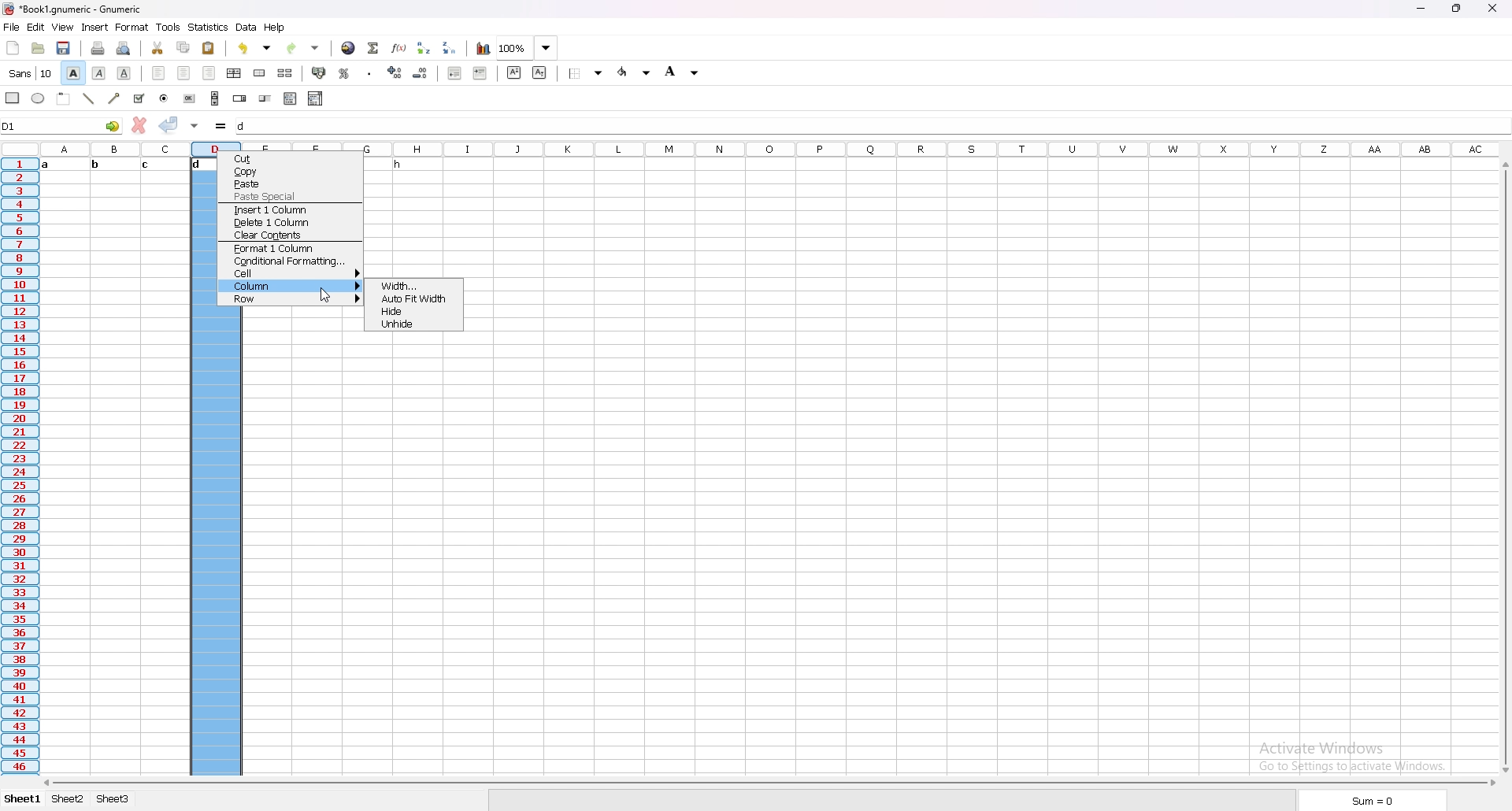 The width and height of the screenshot is (1512, 811). I want to click on zoom, so click(527, 48).